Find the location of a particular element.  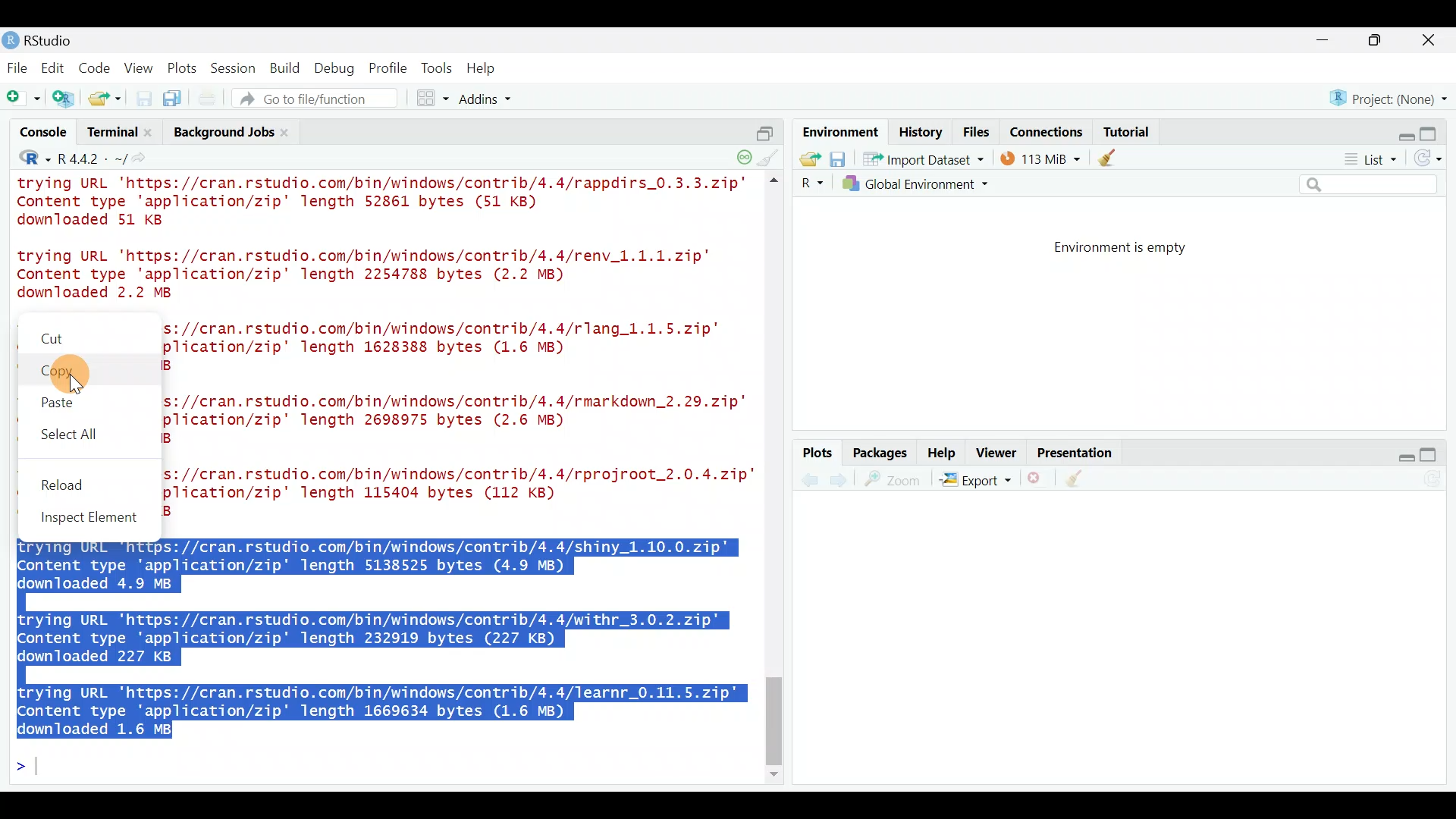

R is located at coordinates (810, 184).